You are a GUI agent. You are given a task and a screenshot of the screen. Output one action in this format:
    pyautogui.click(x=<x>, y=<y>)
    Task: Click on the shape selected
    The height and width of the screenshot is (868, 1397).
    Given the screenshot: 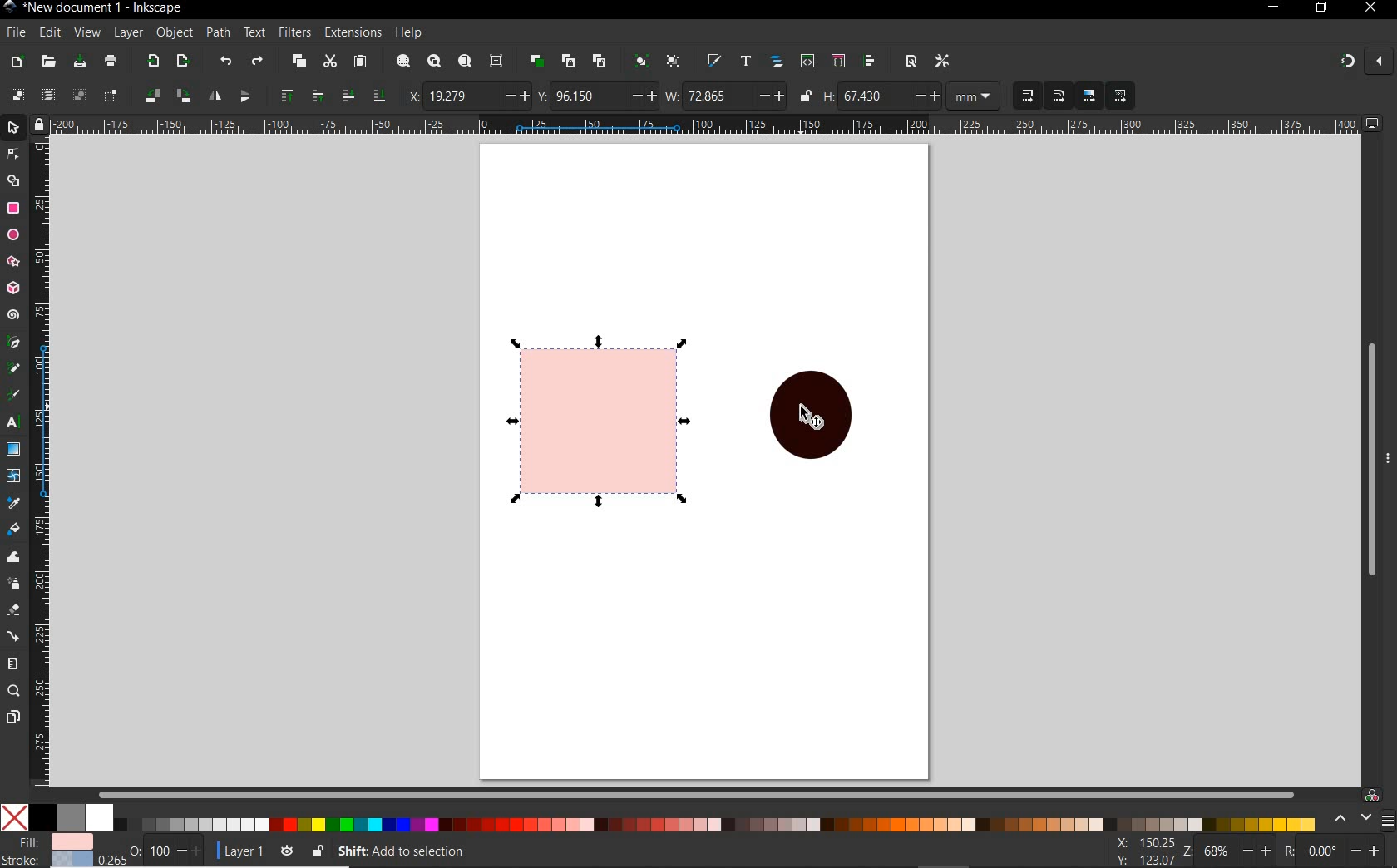 What is the action you would take?
    pyautogui.click(x=605, y=421)
    